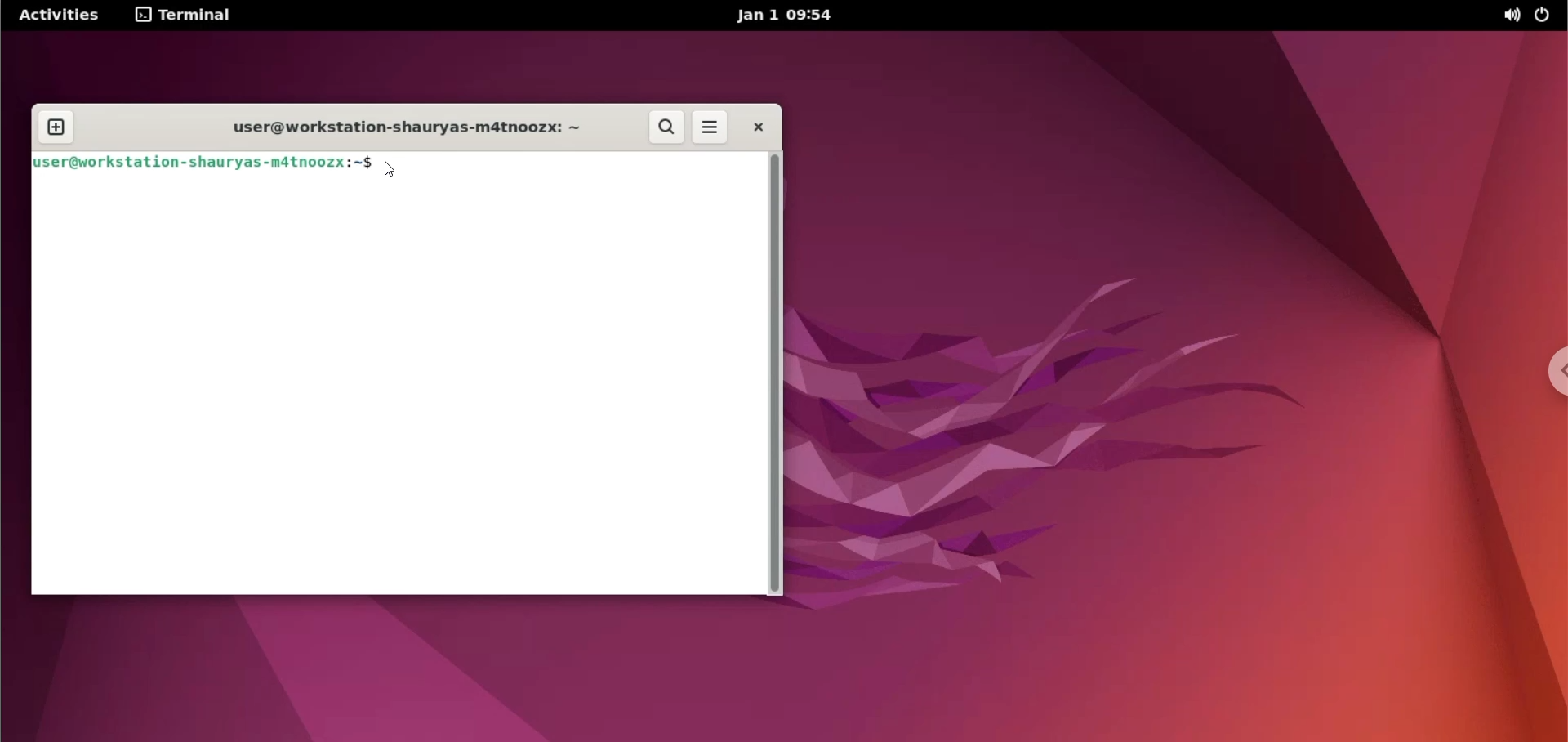 This screenshot has width=1568, height=742. I want to click on chrome options, so click(1552, 371).